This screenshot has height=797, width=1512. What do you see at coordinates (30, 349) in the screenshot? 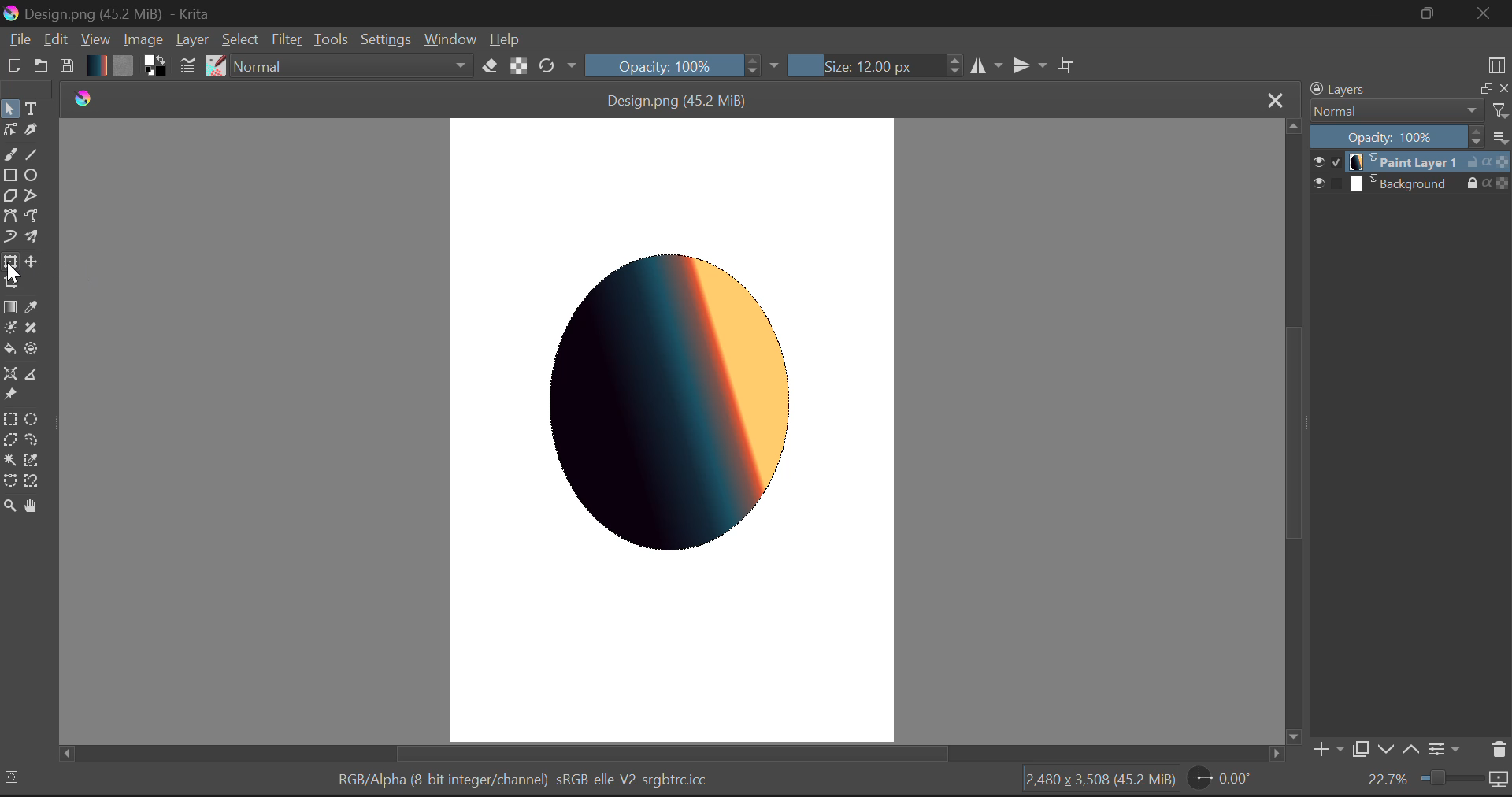
I see `Enclose and Fill` at bounding box center [30, 349].